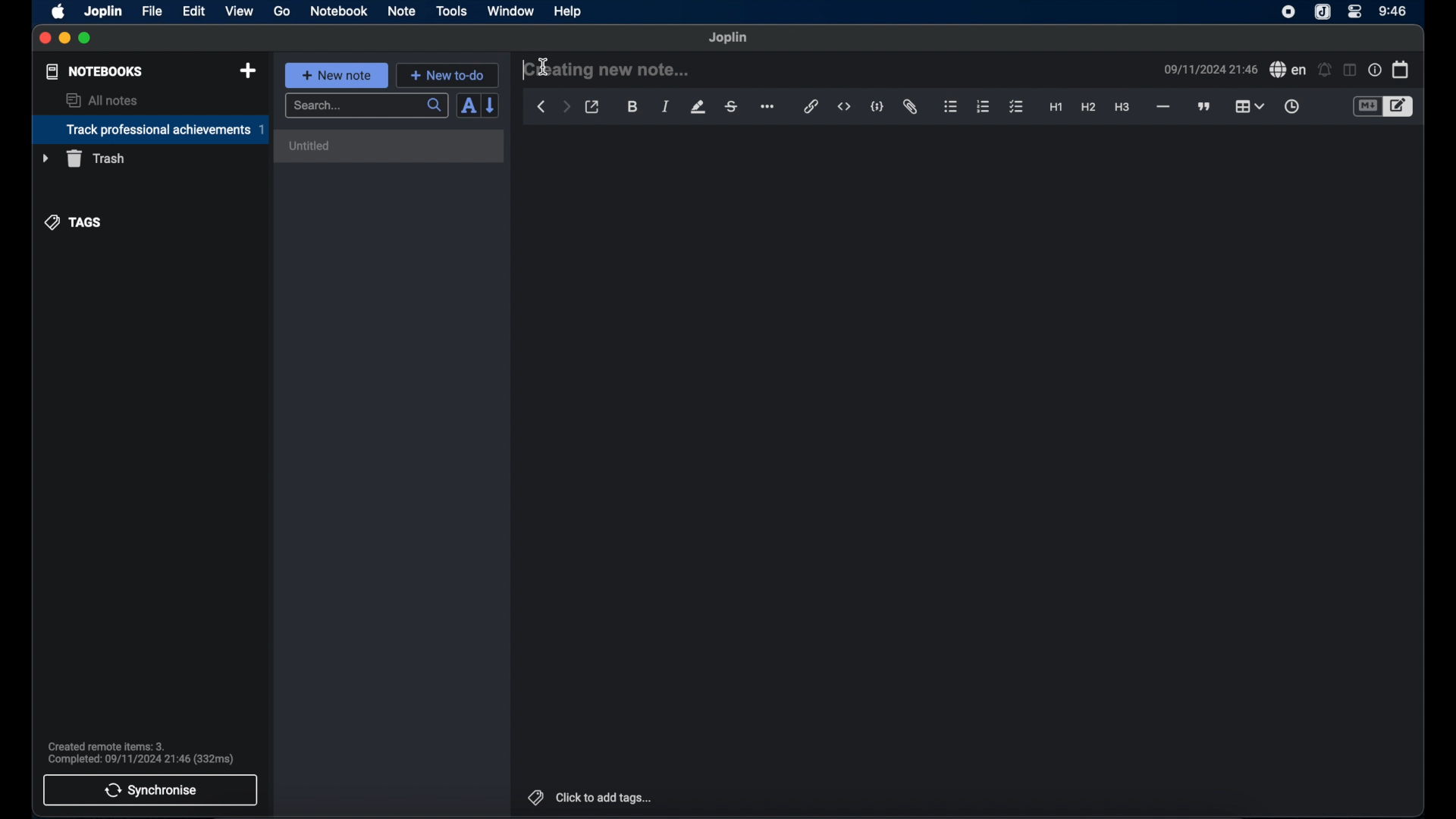 The height and width of the screenshot is (819, 1456). What do you see at coordinates (878, 106) in the screenshot?
I see `code` at bounding box center [878, 106].